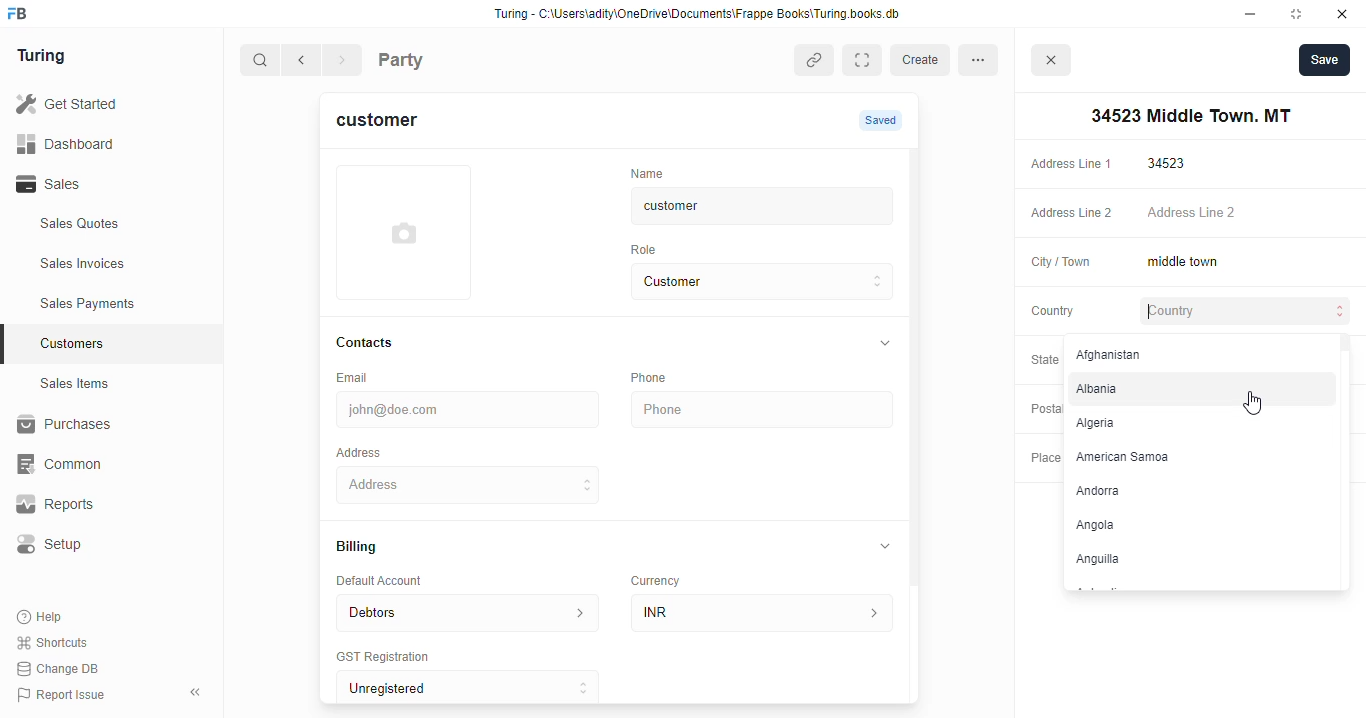 Image resolution: width=1366 pixels, height=718 pixels. What do you see at coordinates (91, 505) in the screenshot?
I see `Reports` at bounding box center [91, 505].